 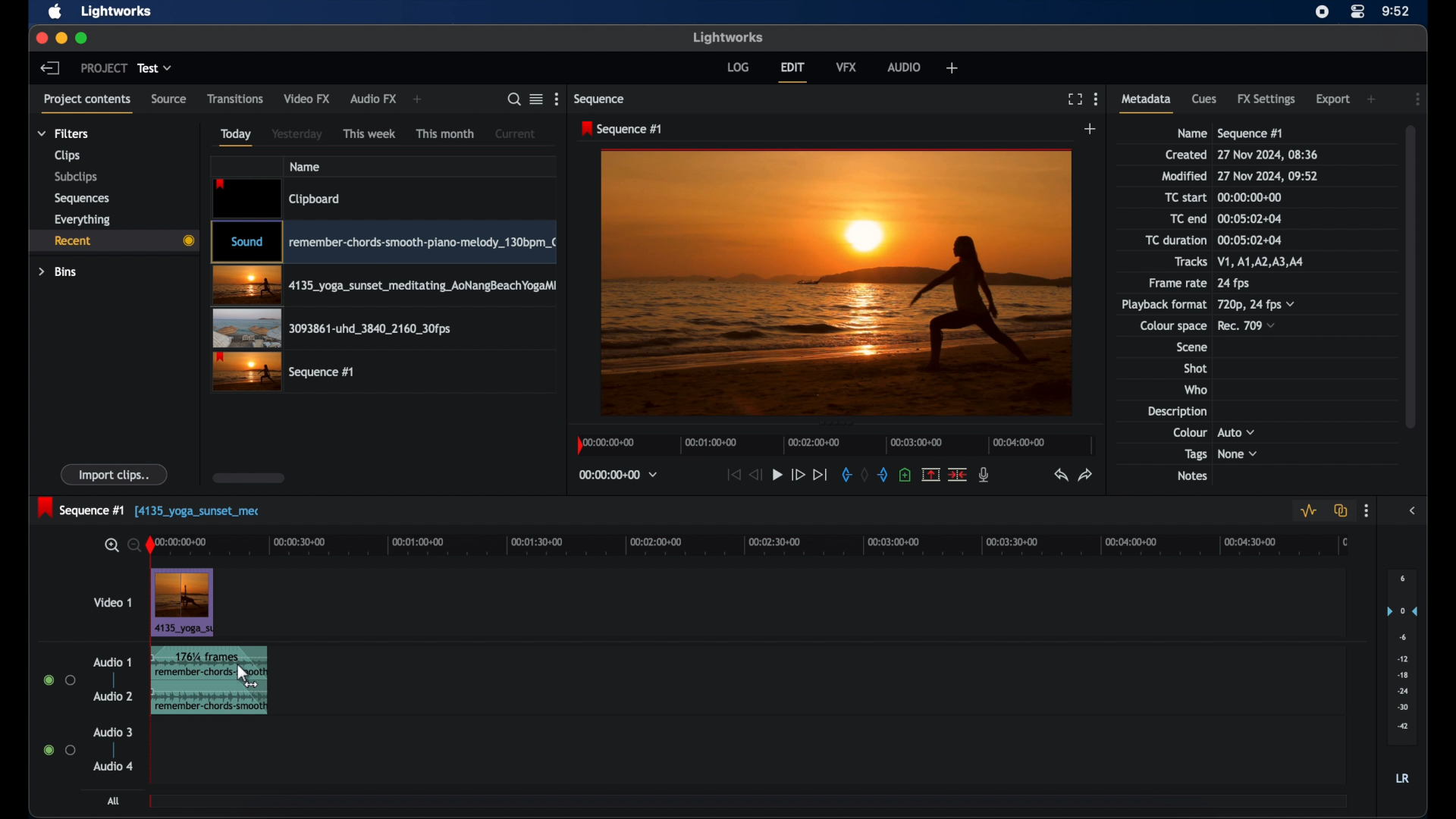 What do you see at coordinates (847, 66) in the screenshot?
I see `vfx` at bounding box center [847, 66].